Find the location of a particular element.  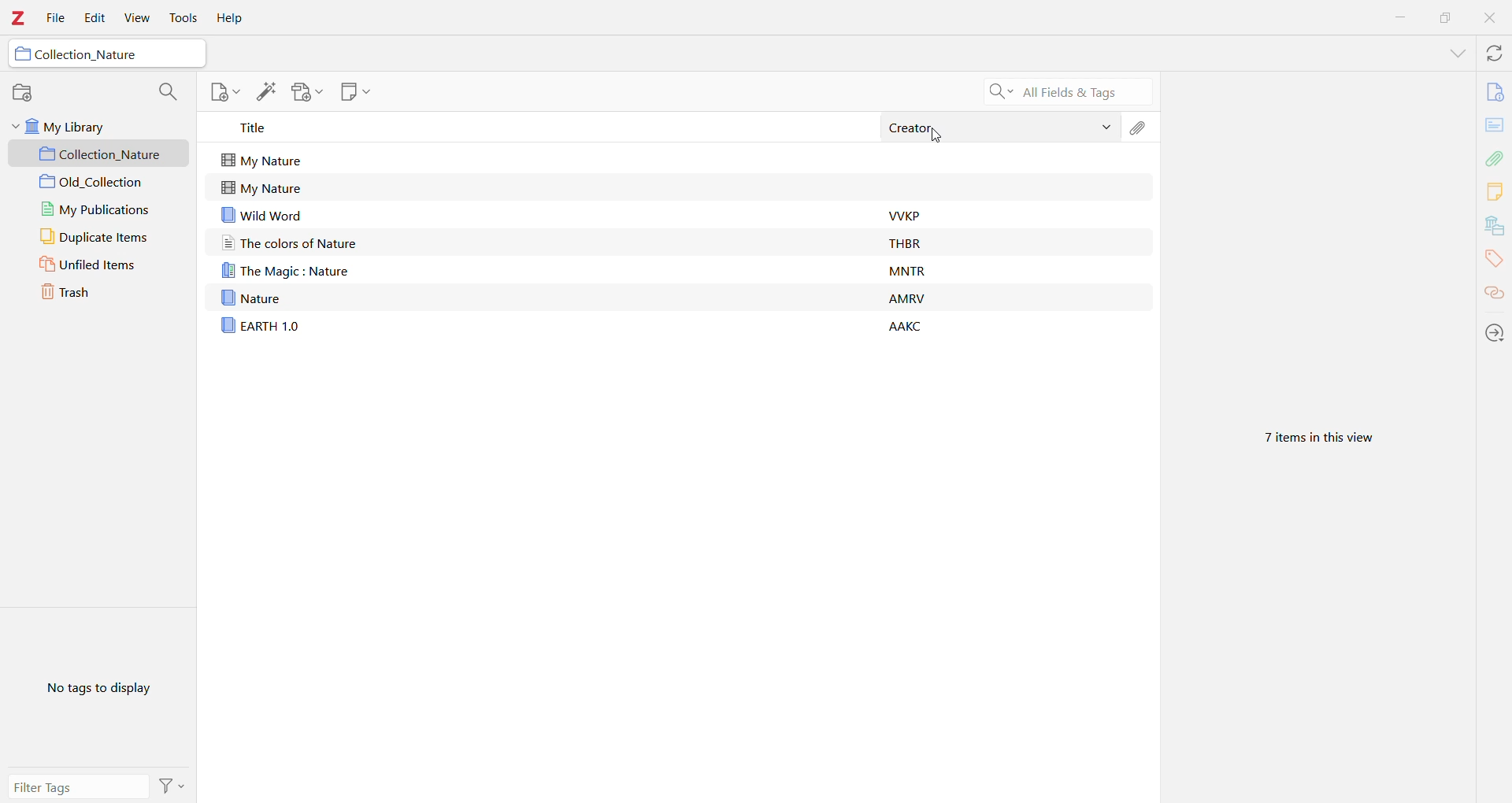

My Library is located at coordinates (106, 126).